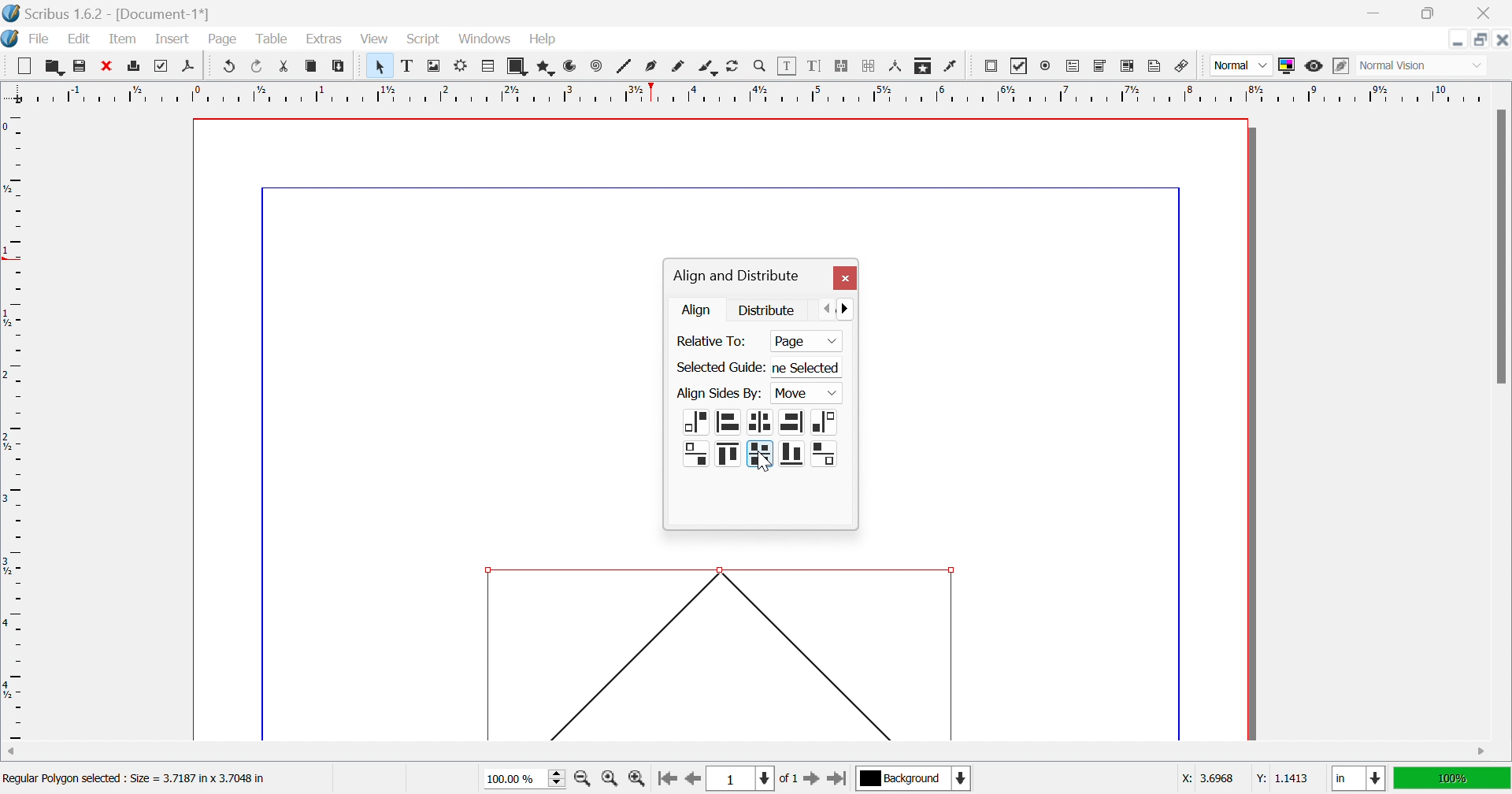 The height and width of the screenshot is (794, 1512). I want to click on PDF text field, so click(1075, 67).